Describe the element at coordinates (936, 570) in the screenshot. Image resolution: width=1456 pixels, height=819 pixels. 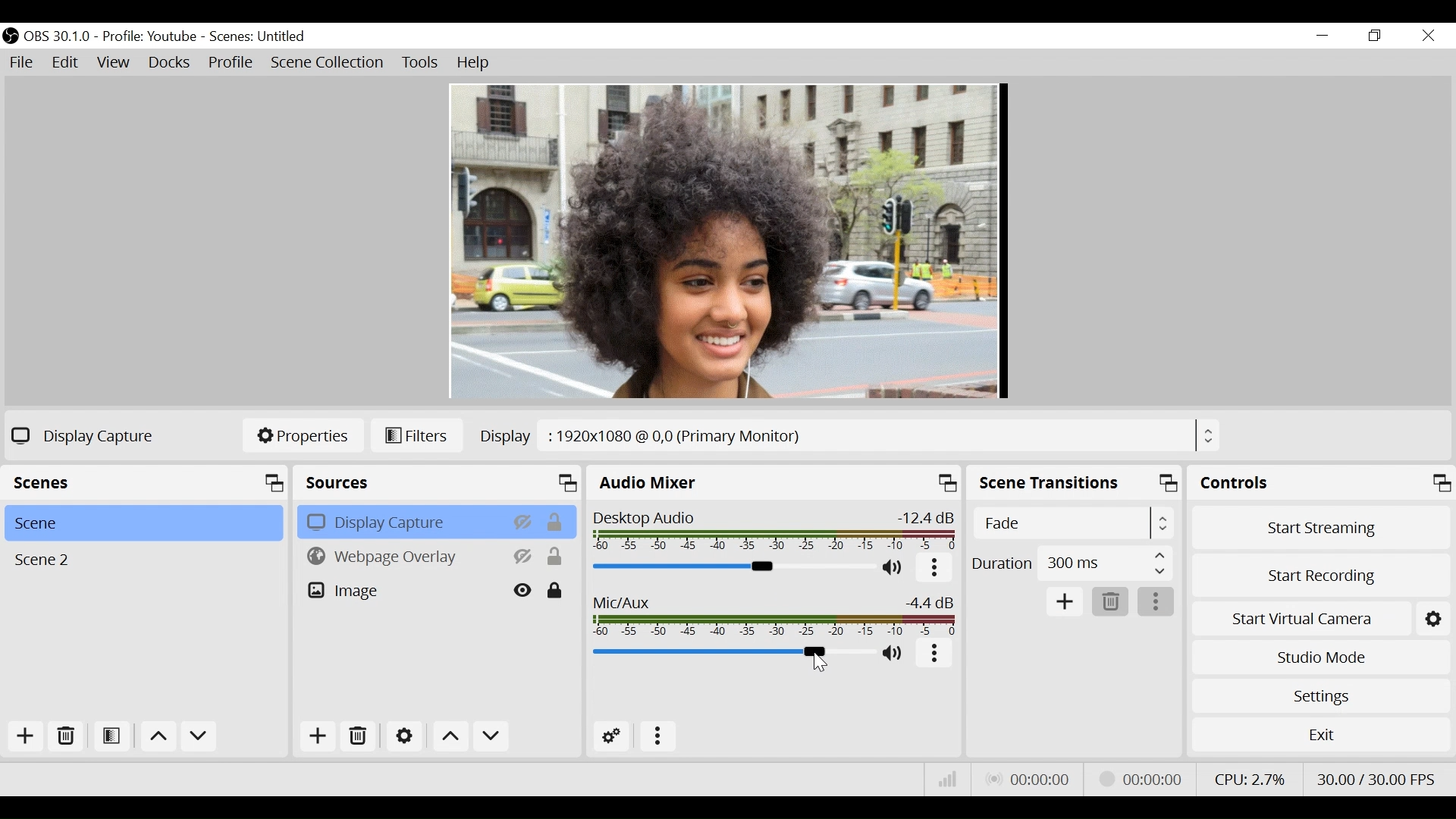
I see `more option` at that location.